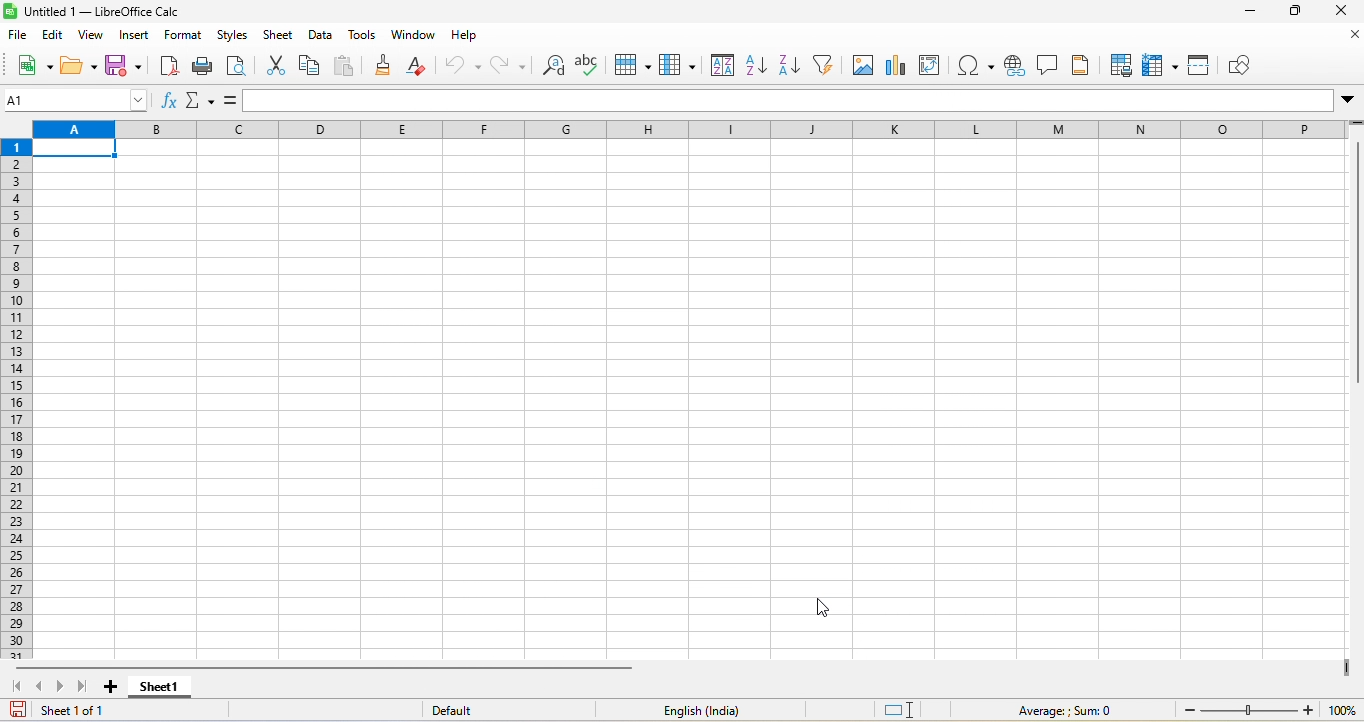 Image resolution: width=1364 pixels, height=722 pixels. Describe the element at coordinates (1202, 63) in the screenshot. I see `split window` at that location.